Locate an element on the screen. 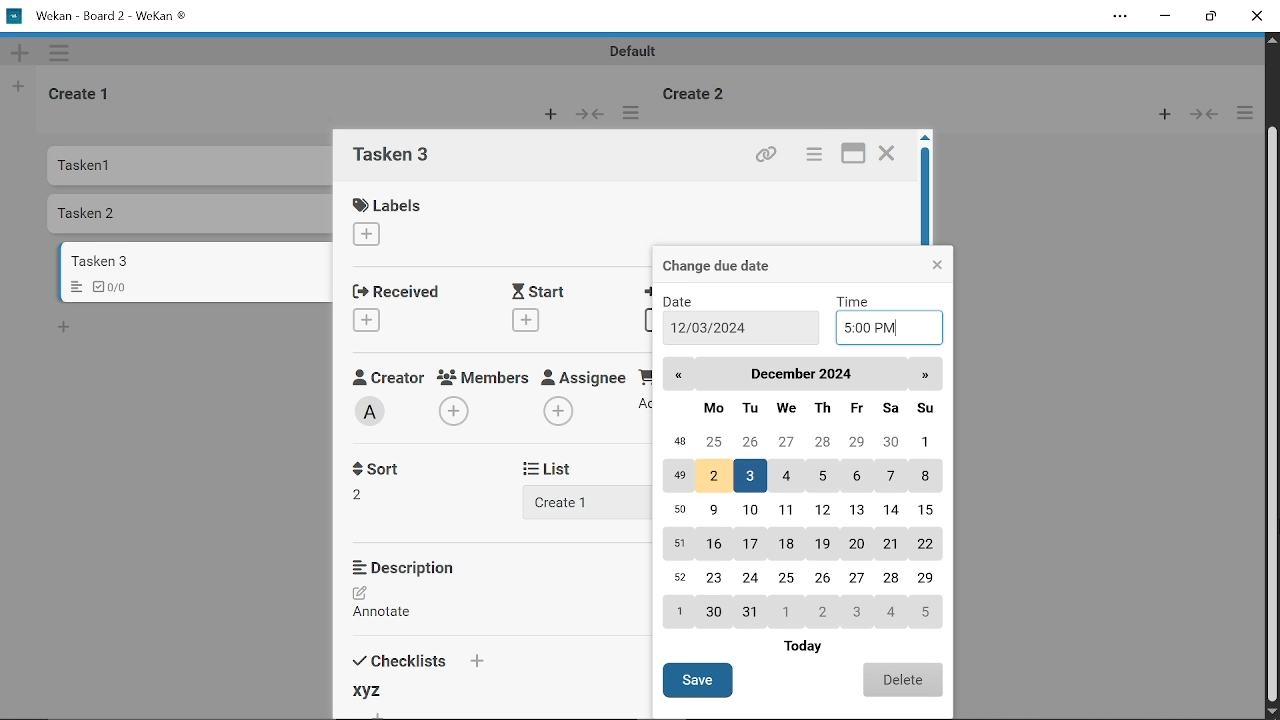  next is located at coordinates (927, 374).